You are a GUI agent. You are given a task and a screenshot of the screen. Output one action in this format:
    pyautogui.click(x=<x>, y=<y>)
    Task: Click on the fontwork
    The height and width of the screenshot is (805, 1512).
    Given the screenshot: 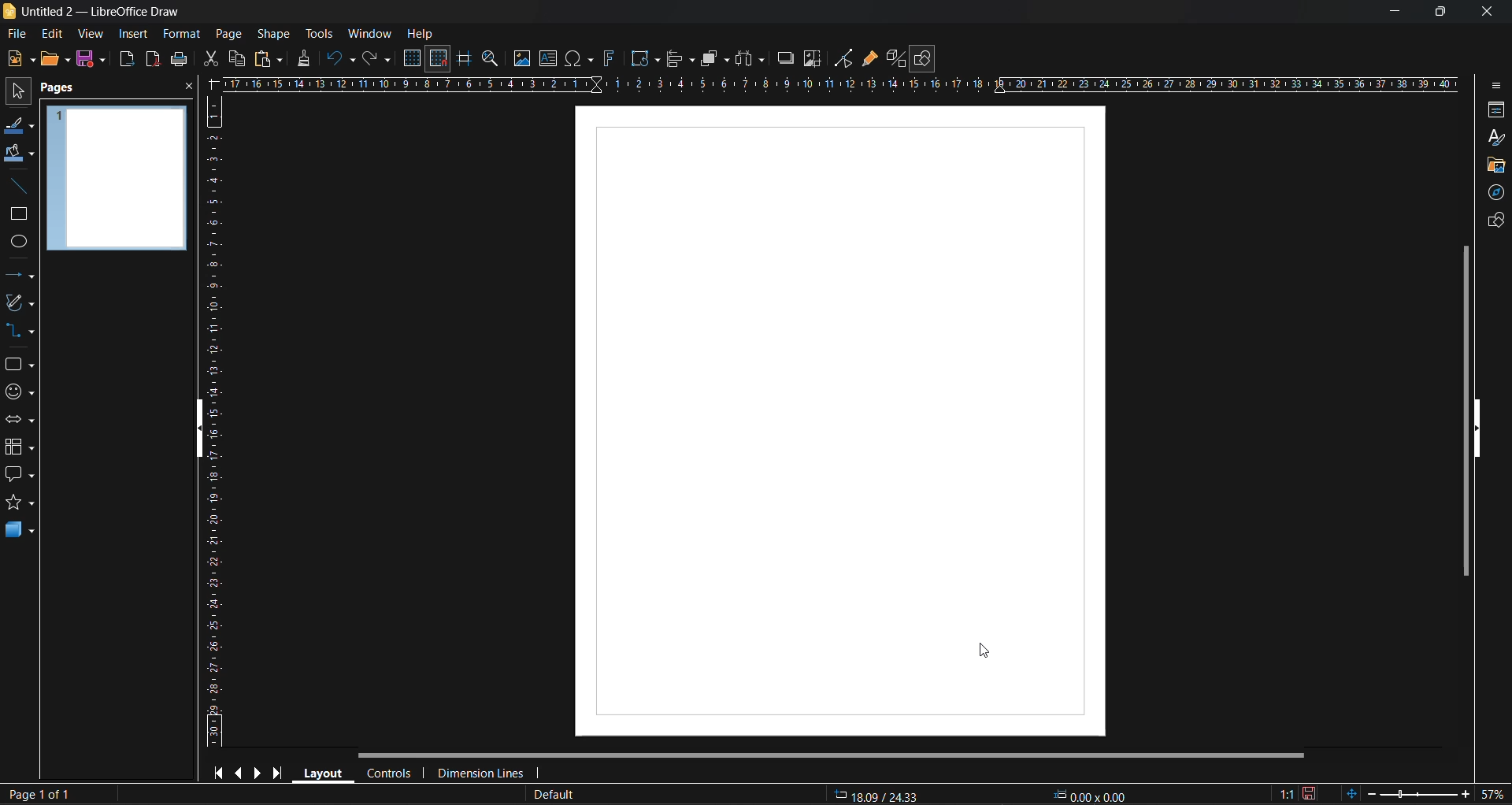 What is the action you would take?
    pyautogui.click(x=609, y=61)
    